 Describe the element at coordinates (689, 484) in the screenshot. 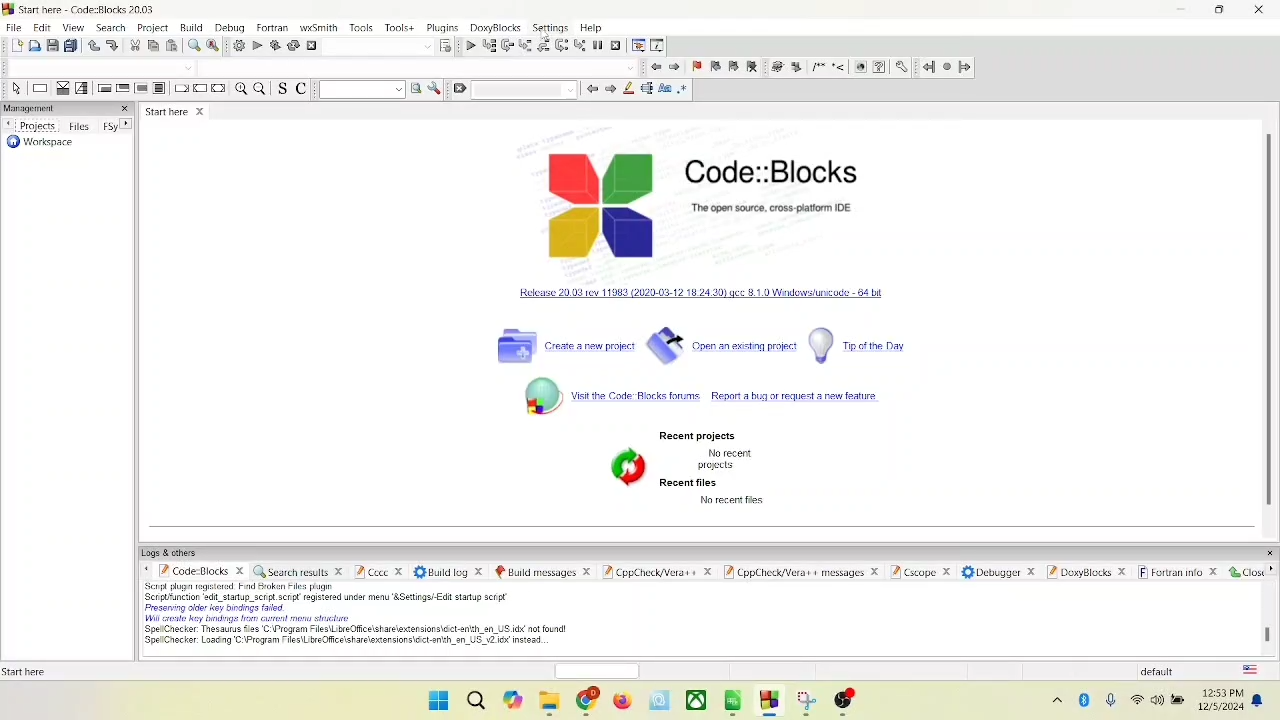

I see `recent files` at that location.